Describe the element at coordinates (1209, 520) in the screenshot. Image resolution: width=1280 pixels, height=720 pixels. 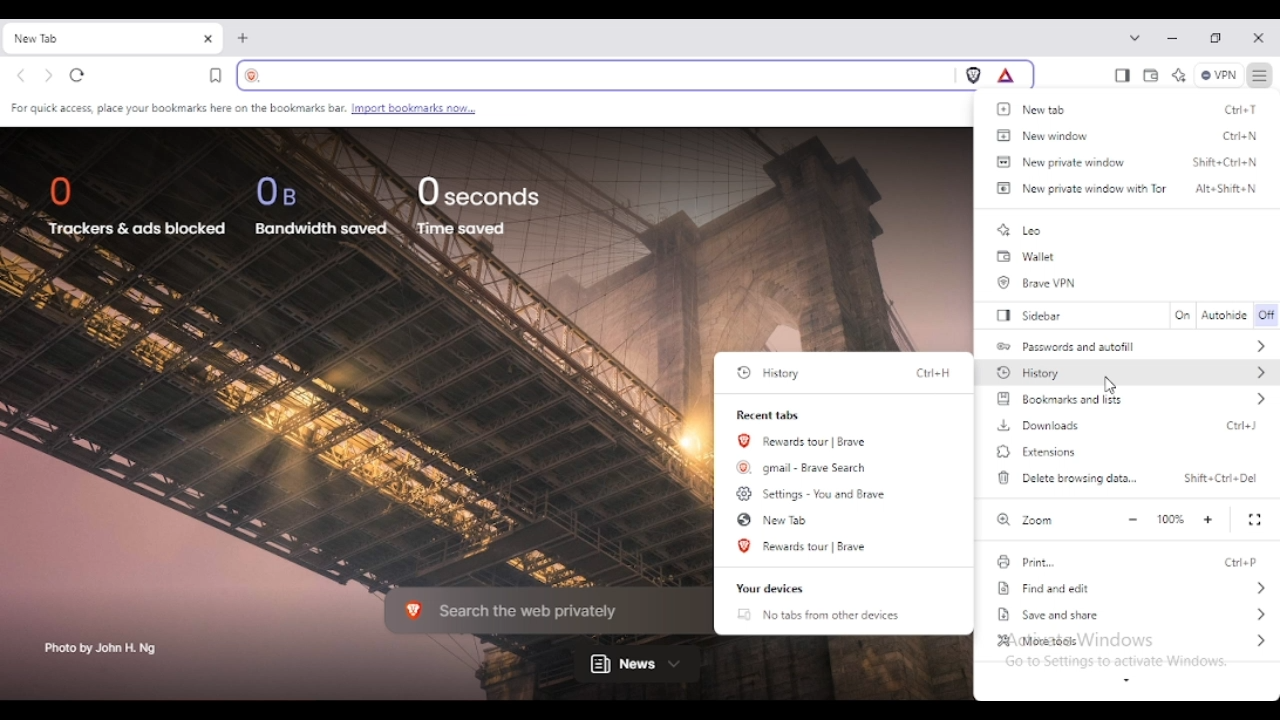
I see `make text larger` at that location.